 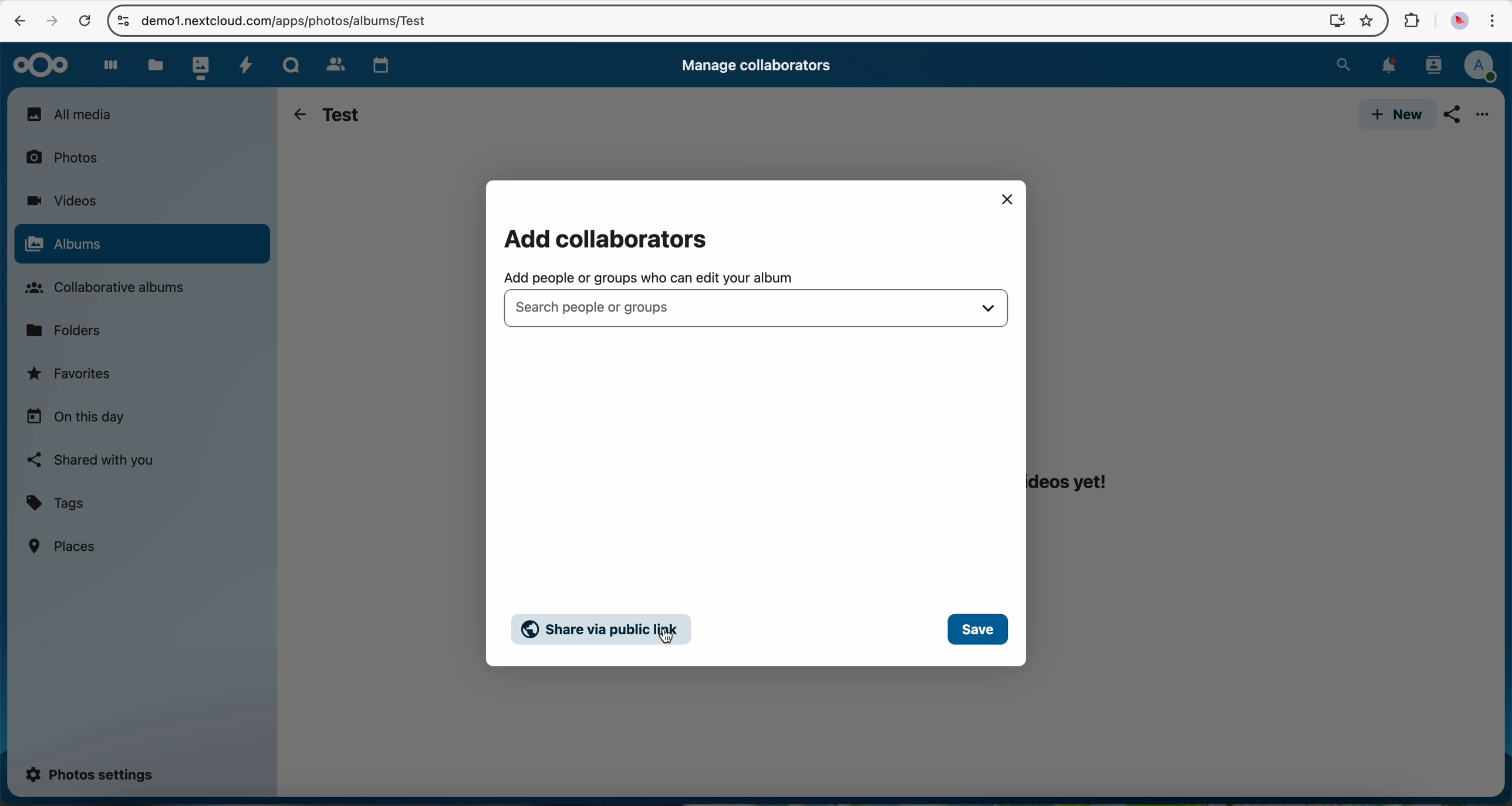 I want to click on activity, so click(x=245, y=63).